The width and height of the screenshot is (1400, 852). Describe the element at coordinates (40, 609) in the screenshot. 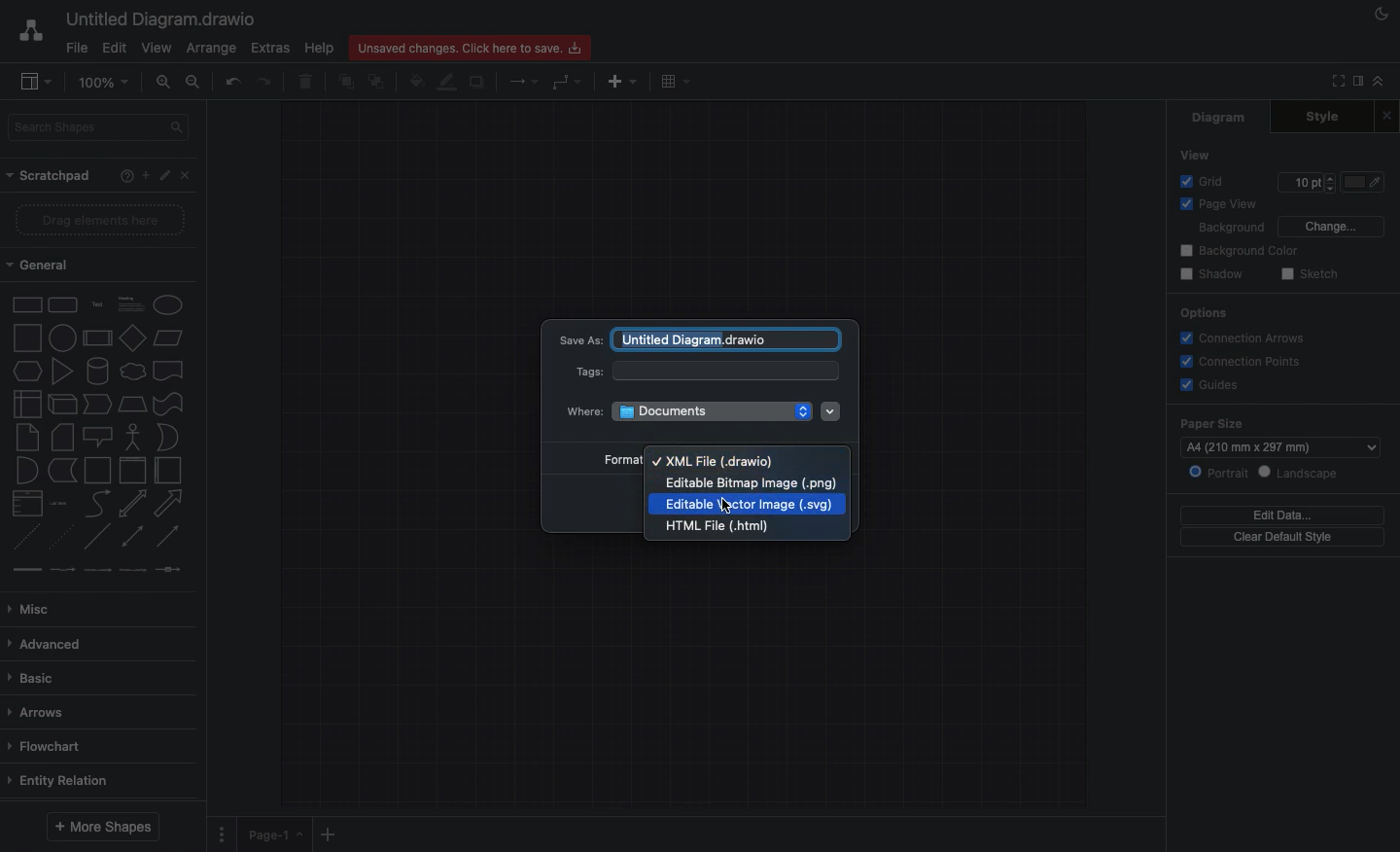

I see `Misc` at that location.